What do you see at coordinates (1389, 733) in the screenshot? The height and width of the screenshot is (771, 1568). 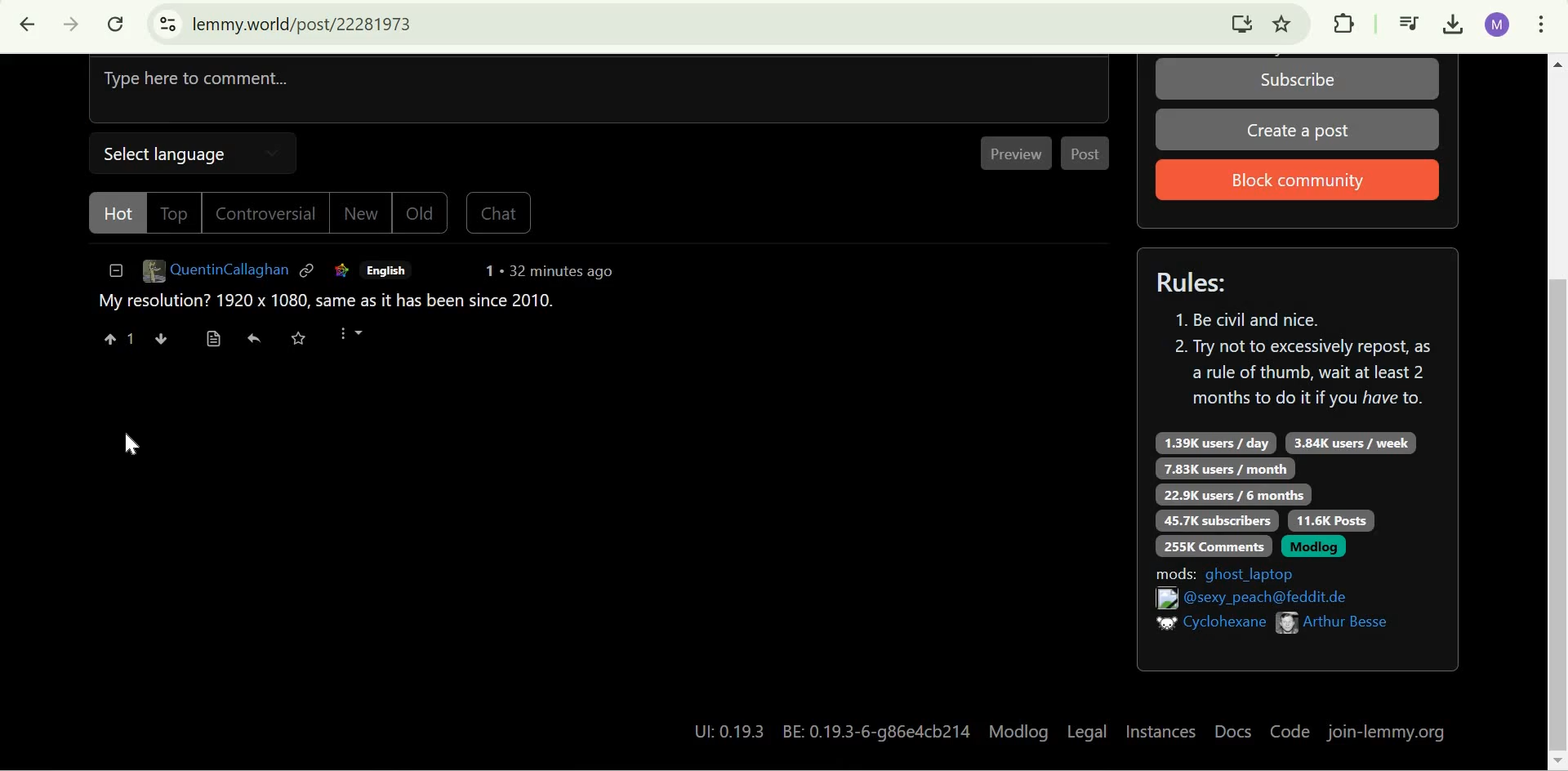 I see `join-lemmy.org` at bounding box center [1389, 733].